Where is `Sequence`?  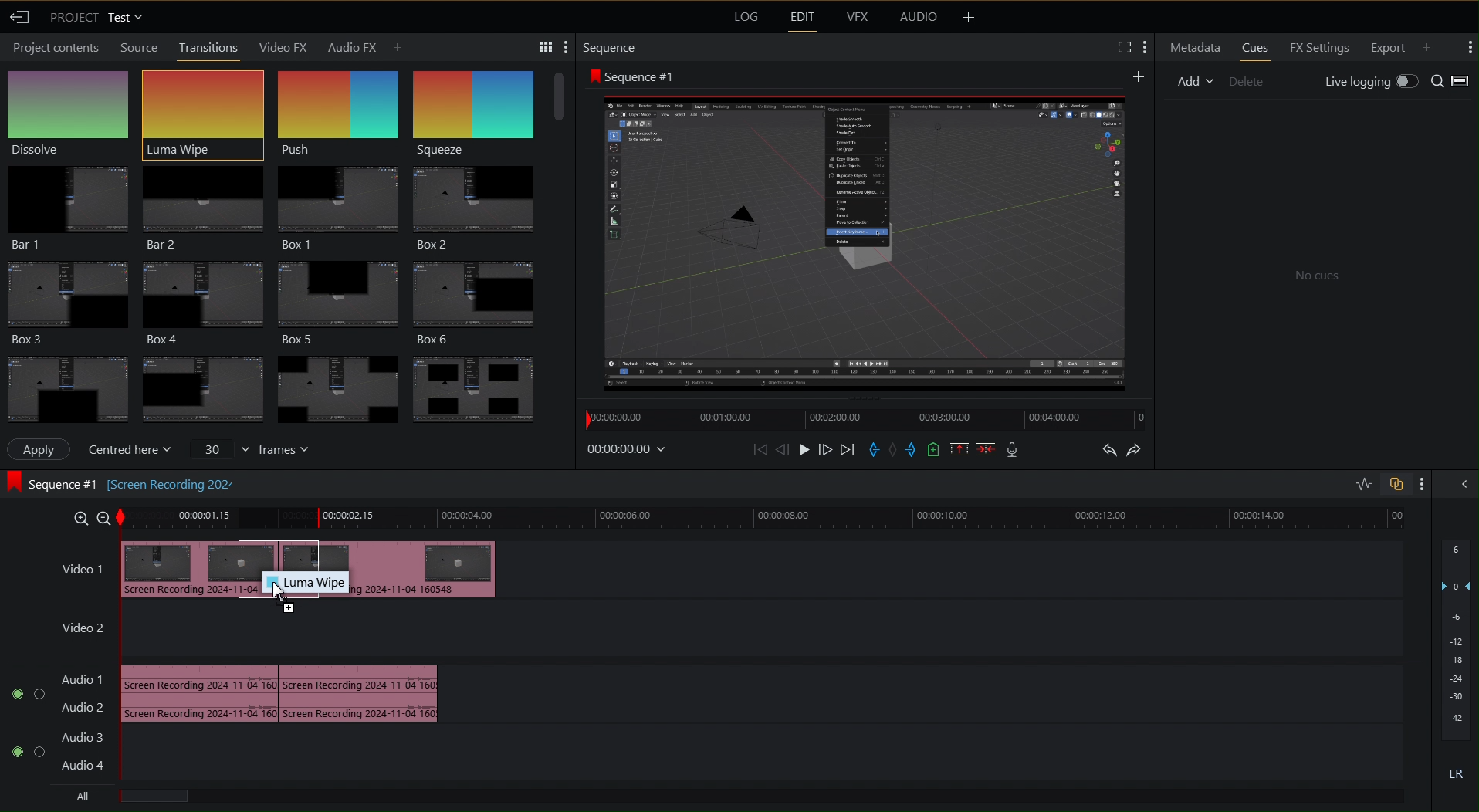
Sequence is located at coordinates (483, 104).